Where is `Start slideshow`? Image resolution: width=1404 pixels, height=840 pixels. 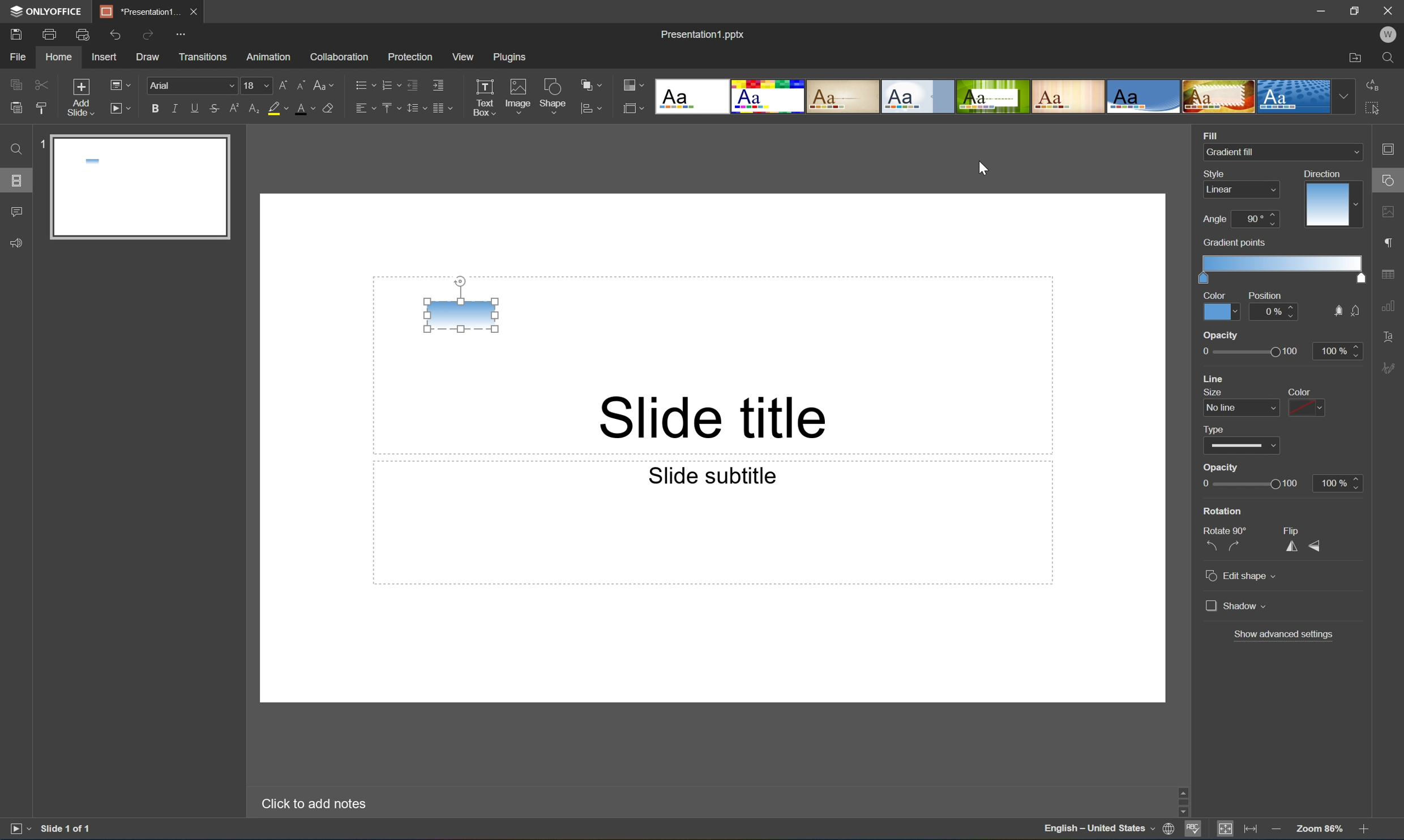 Start slideshow is located at coordinates (19, 828).